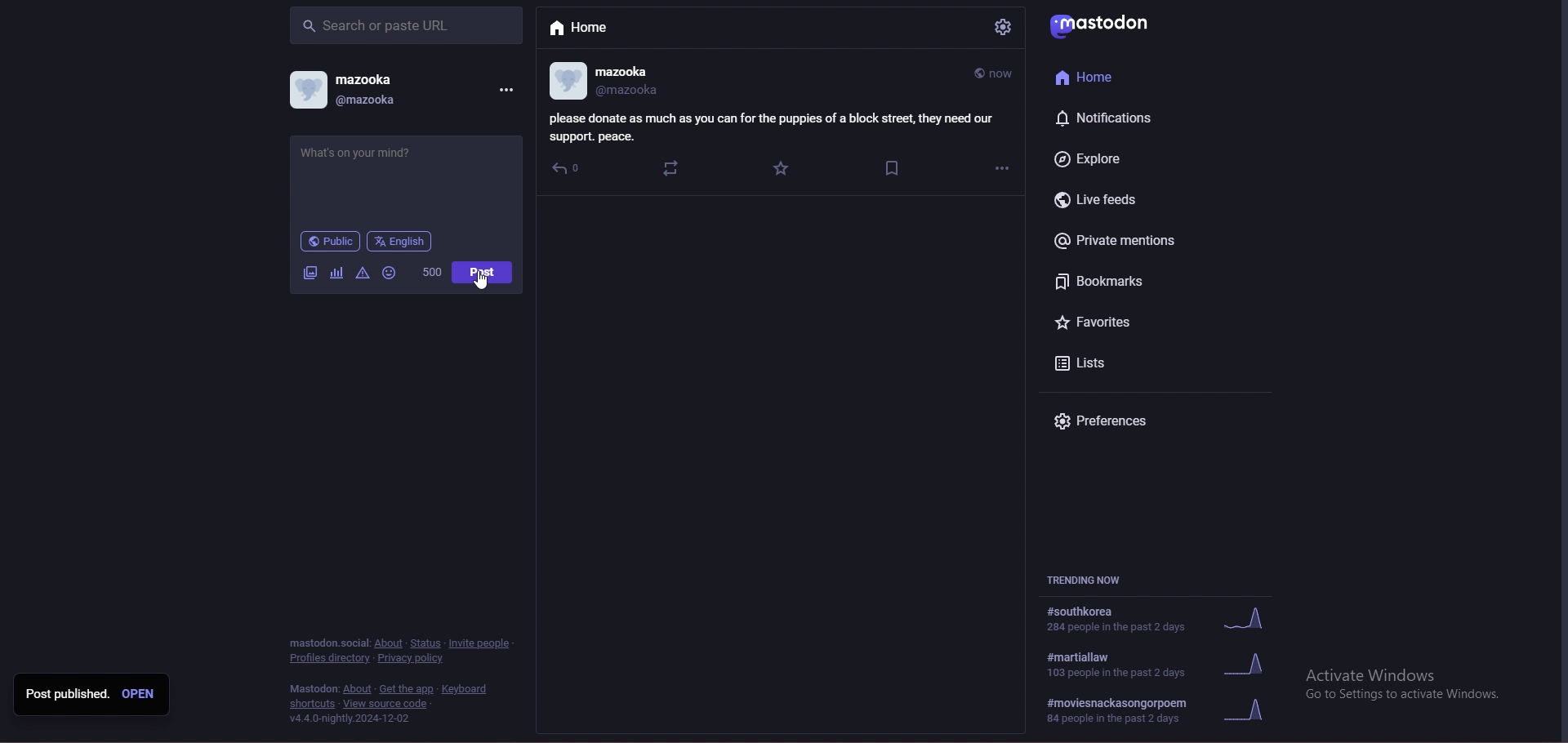 This screenshot has height=743, width=1568. I want to click on settings, so click(1004, 28).